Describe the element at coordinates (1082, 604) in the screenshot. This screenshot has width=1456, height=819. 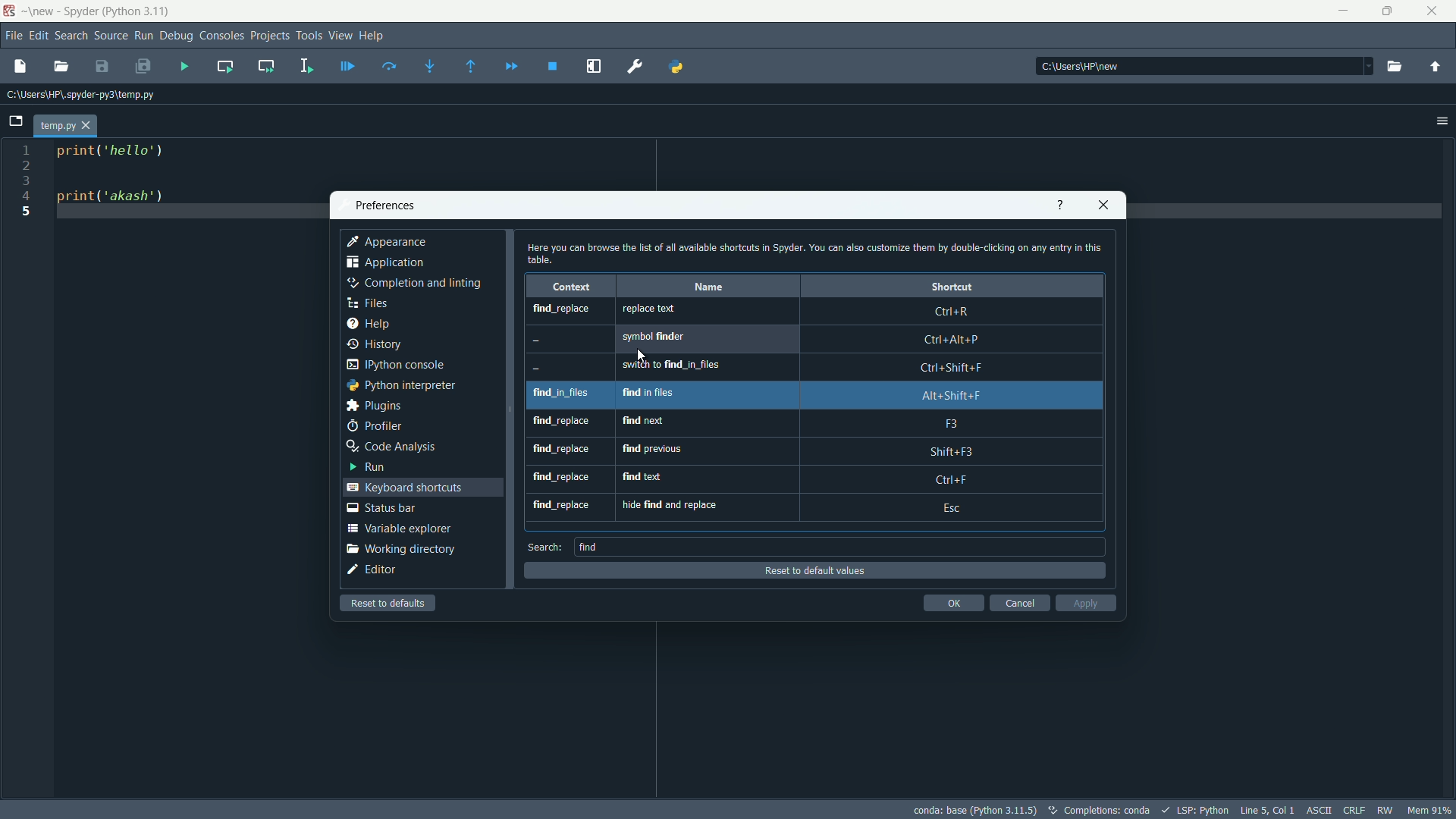
I see `apply` at that location.